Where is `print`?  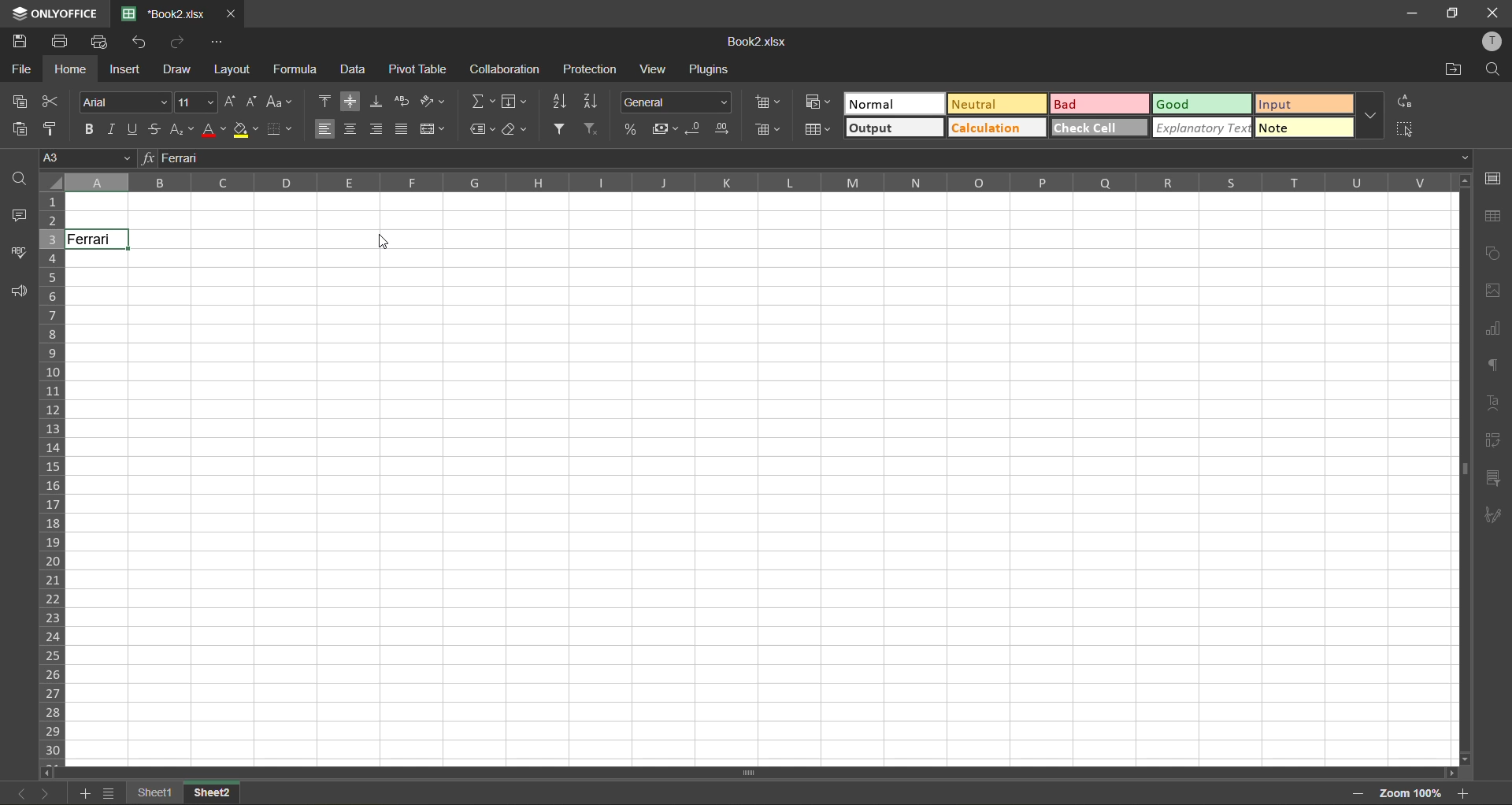
print is located at coordinates (64, 42).